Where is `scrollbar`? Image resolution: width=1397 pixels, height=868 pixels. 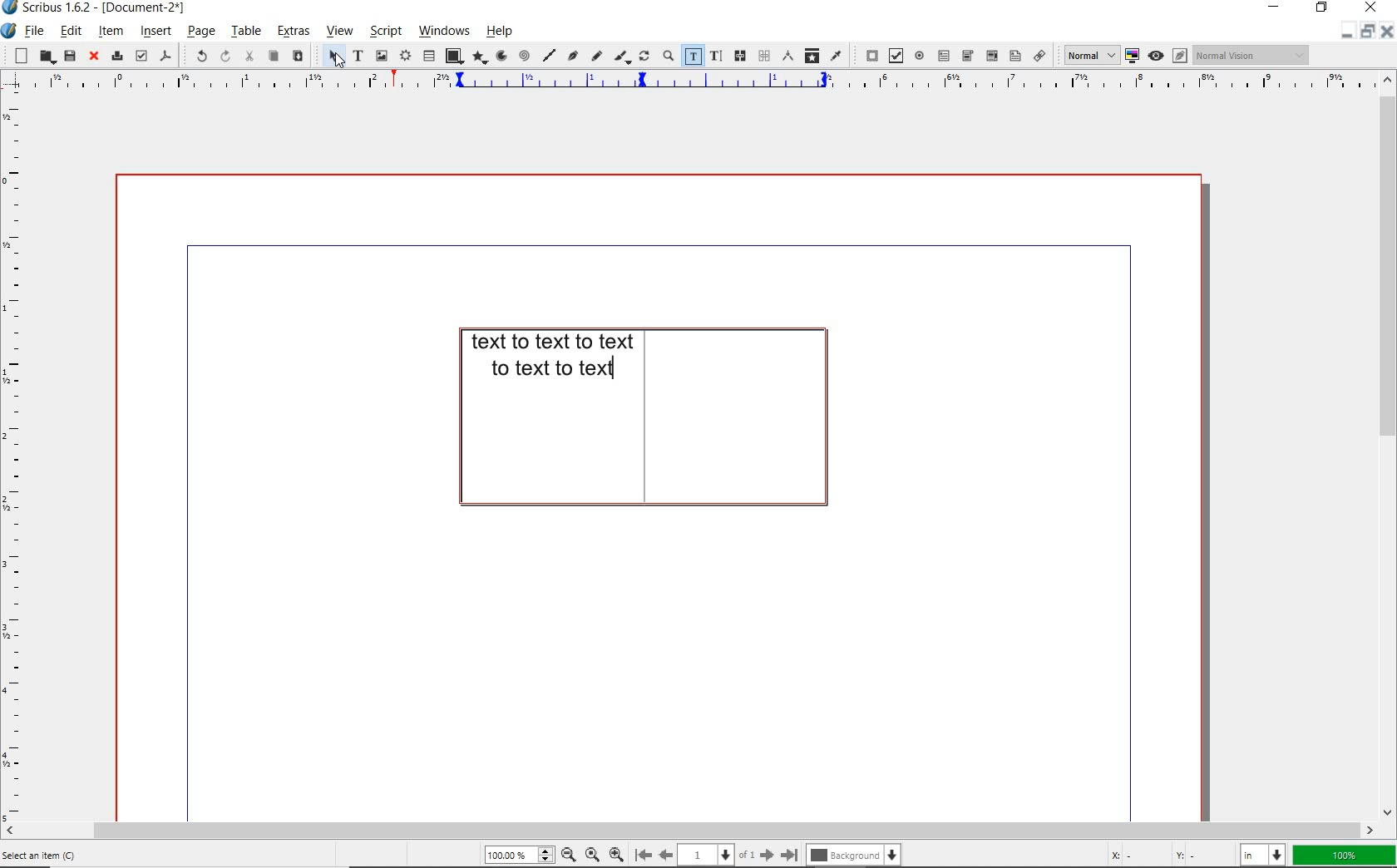
scrollbar is located at coordinates (1389, 446).